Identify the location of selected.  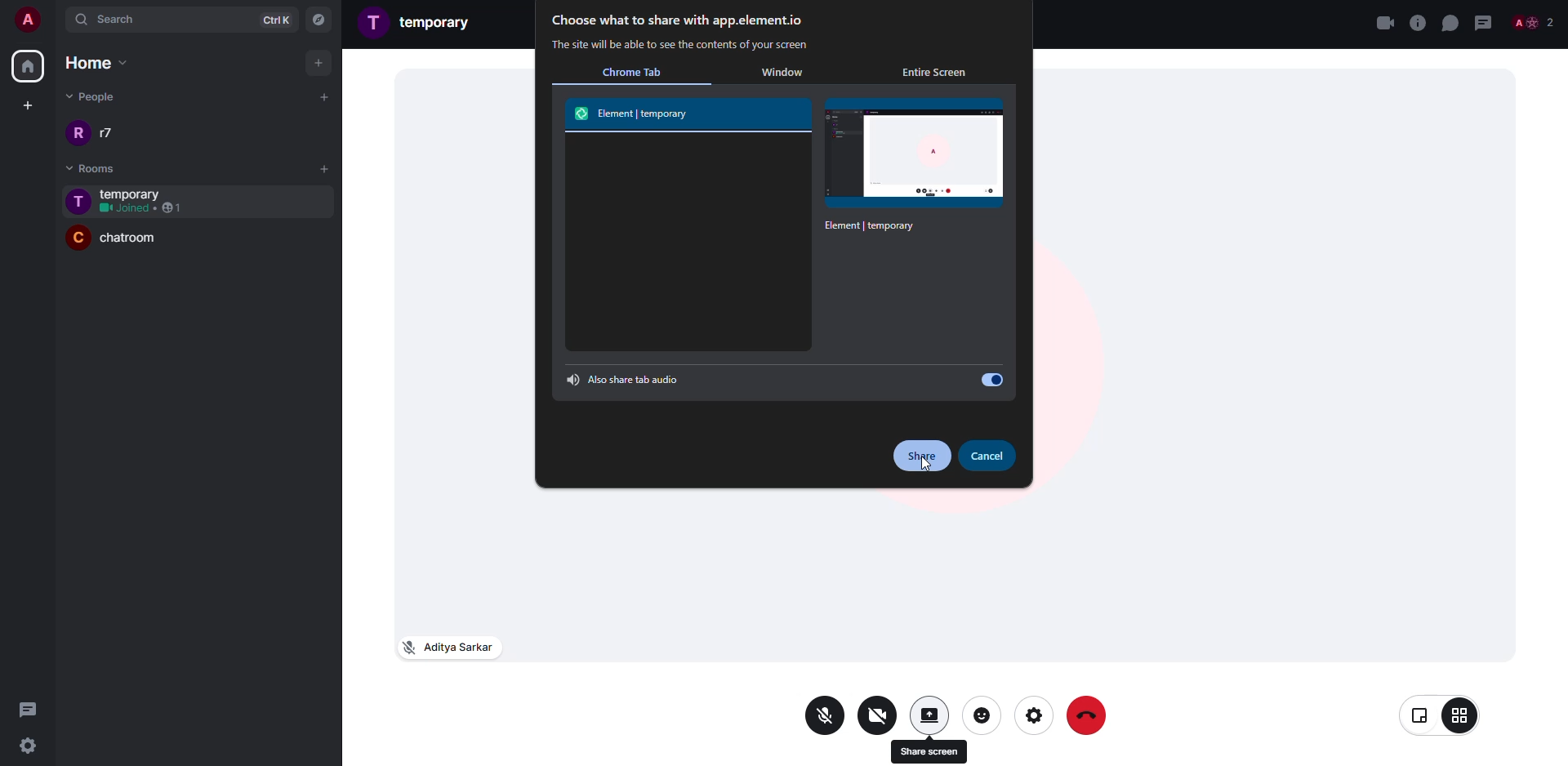
(637, 114).